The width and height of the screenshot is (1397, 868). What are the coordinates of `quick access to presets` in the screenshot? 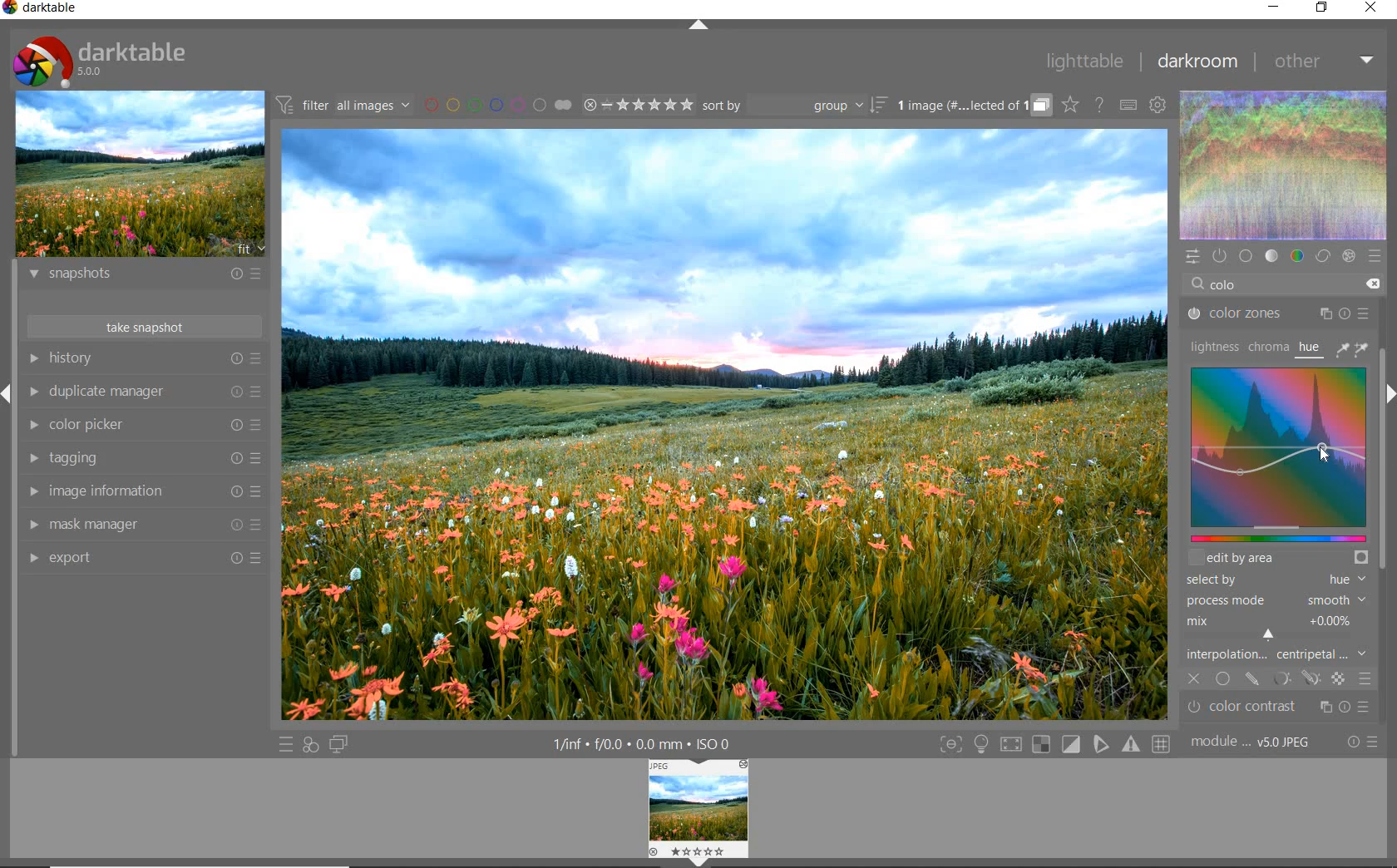 It's located at (287, 745).